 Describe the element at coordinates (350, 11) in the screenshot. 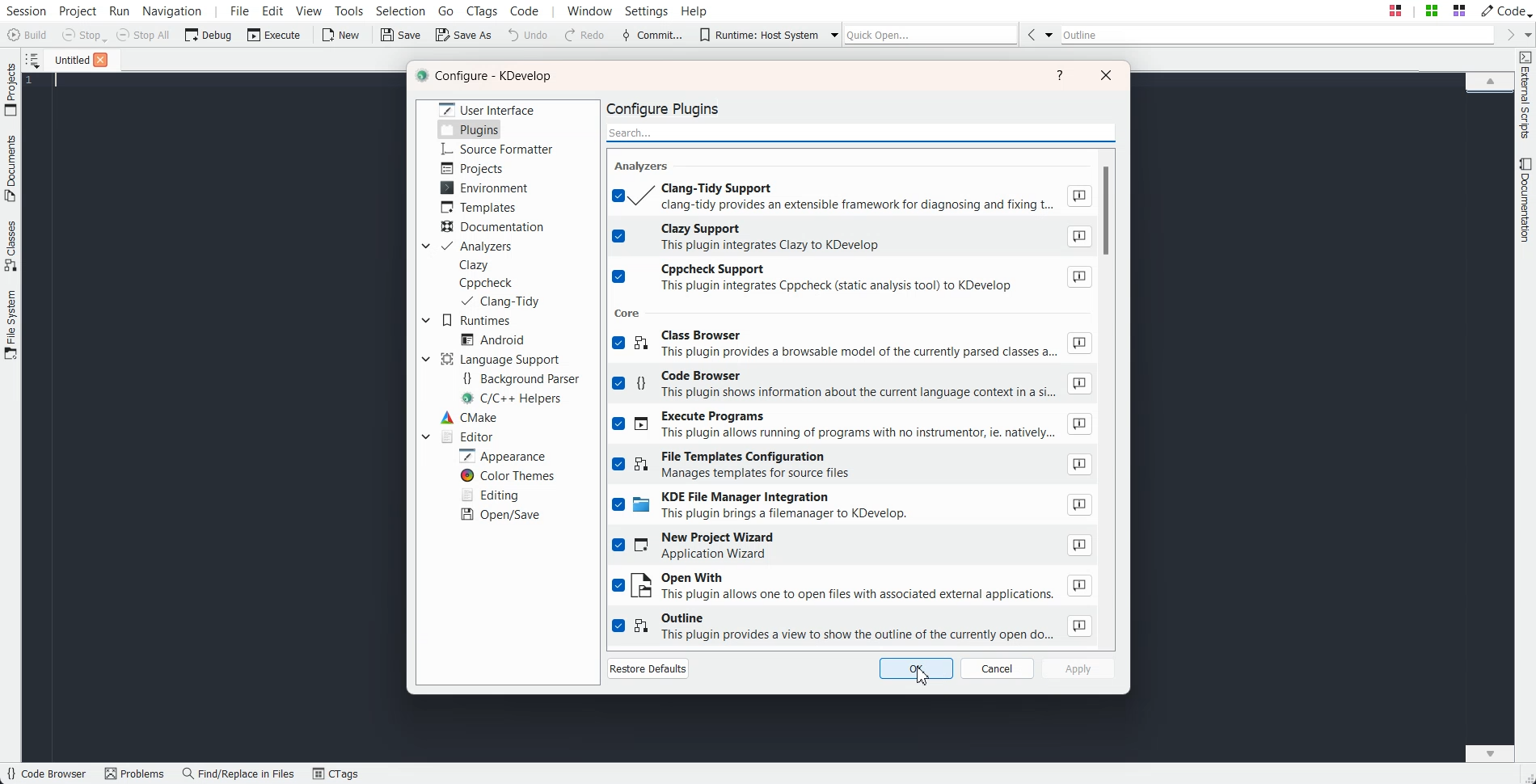

I see `Tools` at that location.